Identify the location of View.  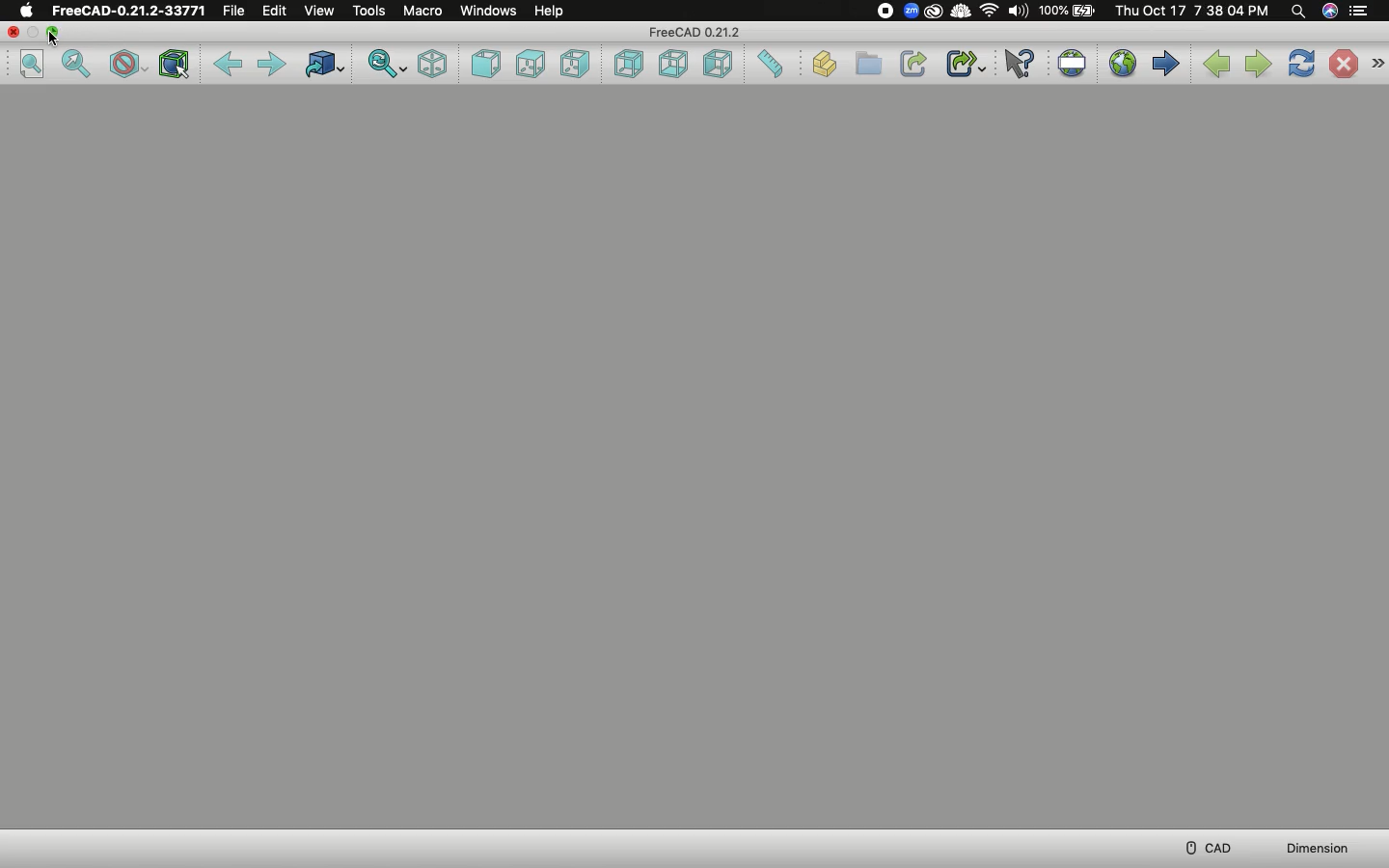
(319, 11).